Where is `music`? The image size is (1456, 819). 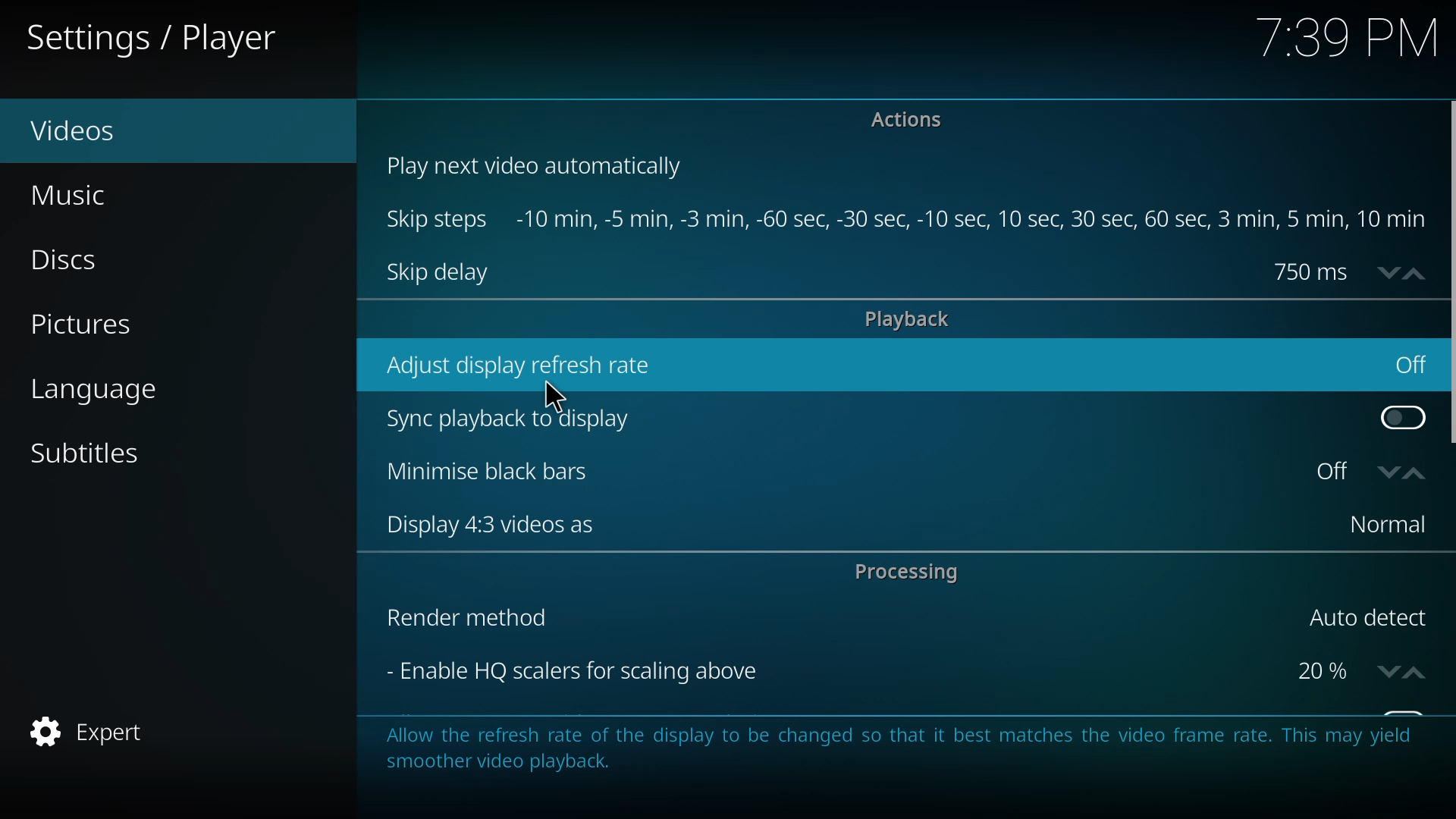
music is located at coordinates (83, 196).